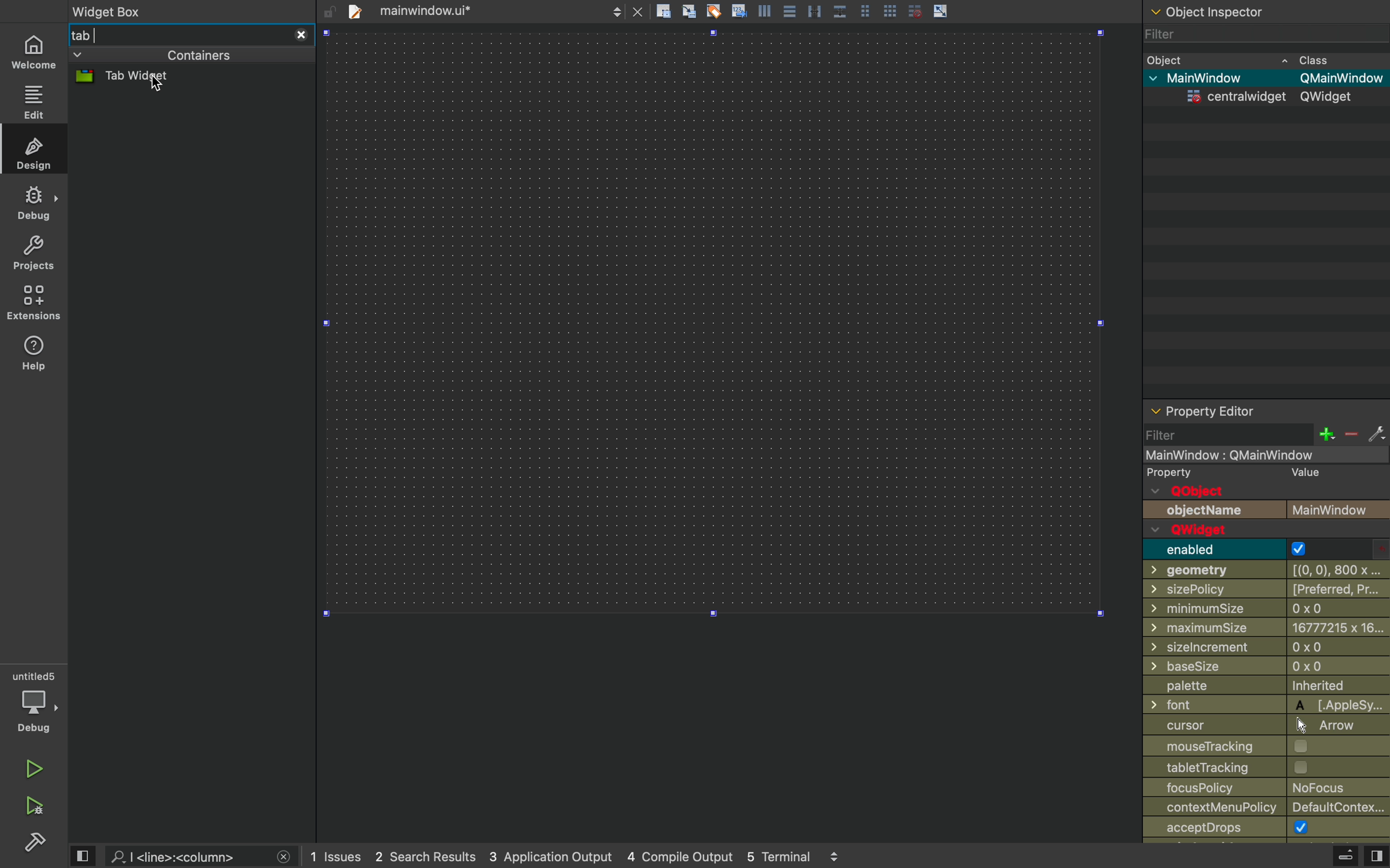  I want to click on qobject, so click(1227, 491).